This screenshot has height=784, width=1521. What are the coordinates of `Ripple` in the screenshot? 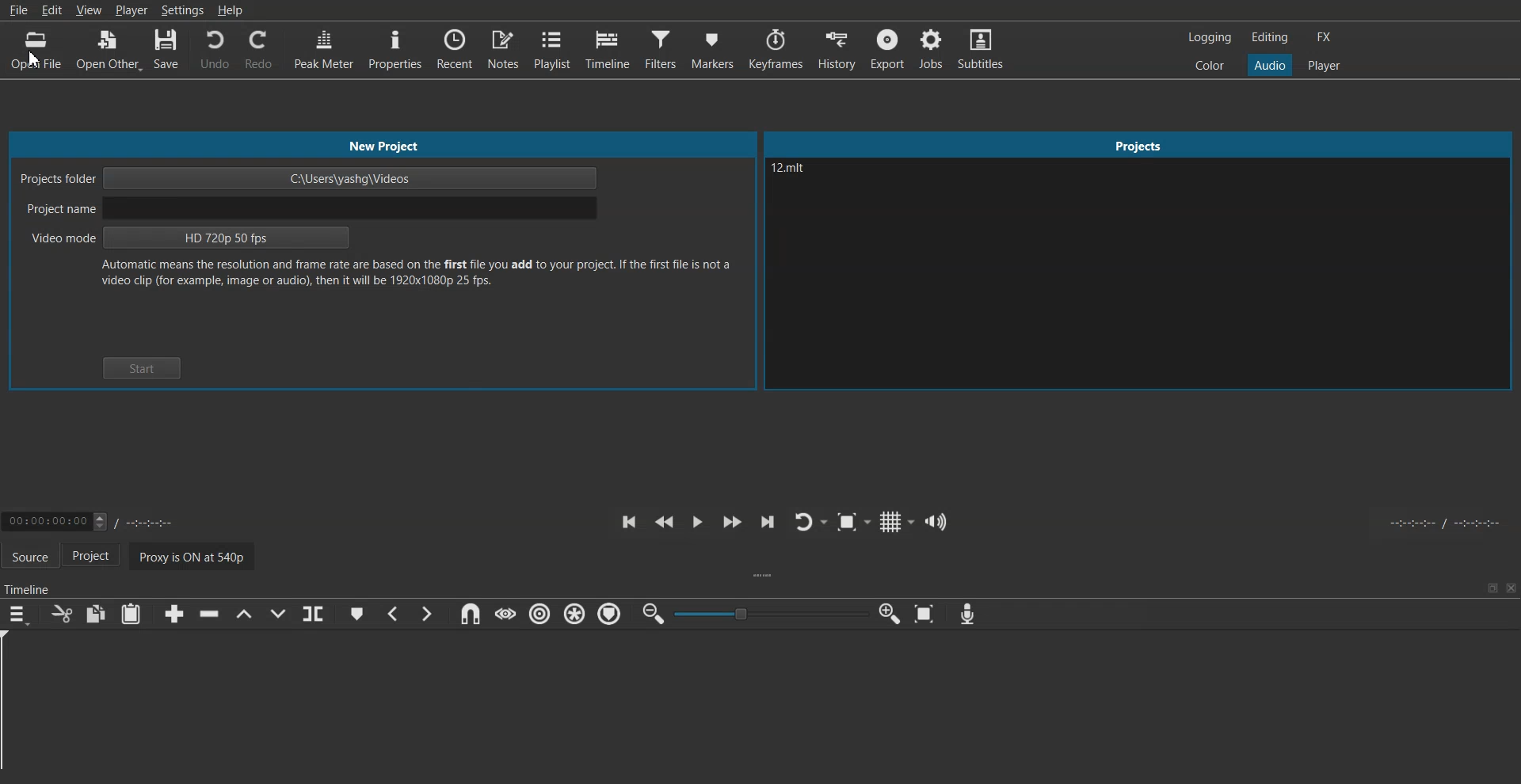 It's located at (542, 615).